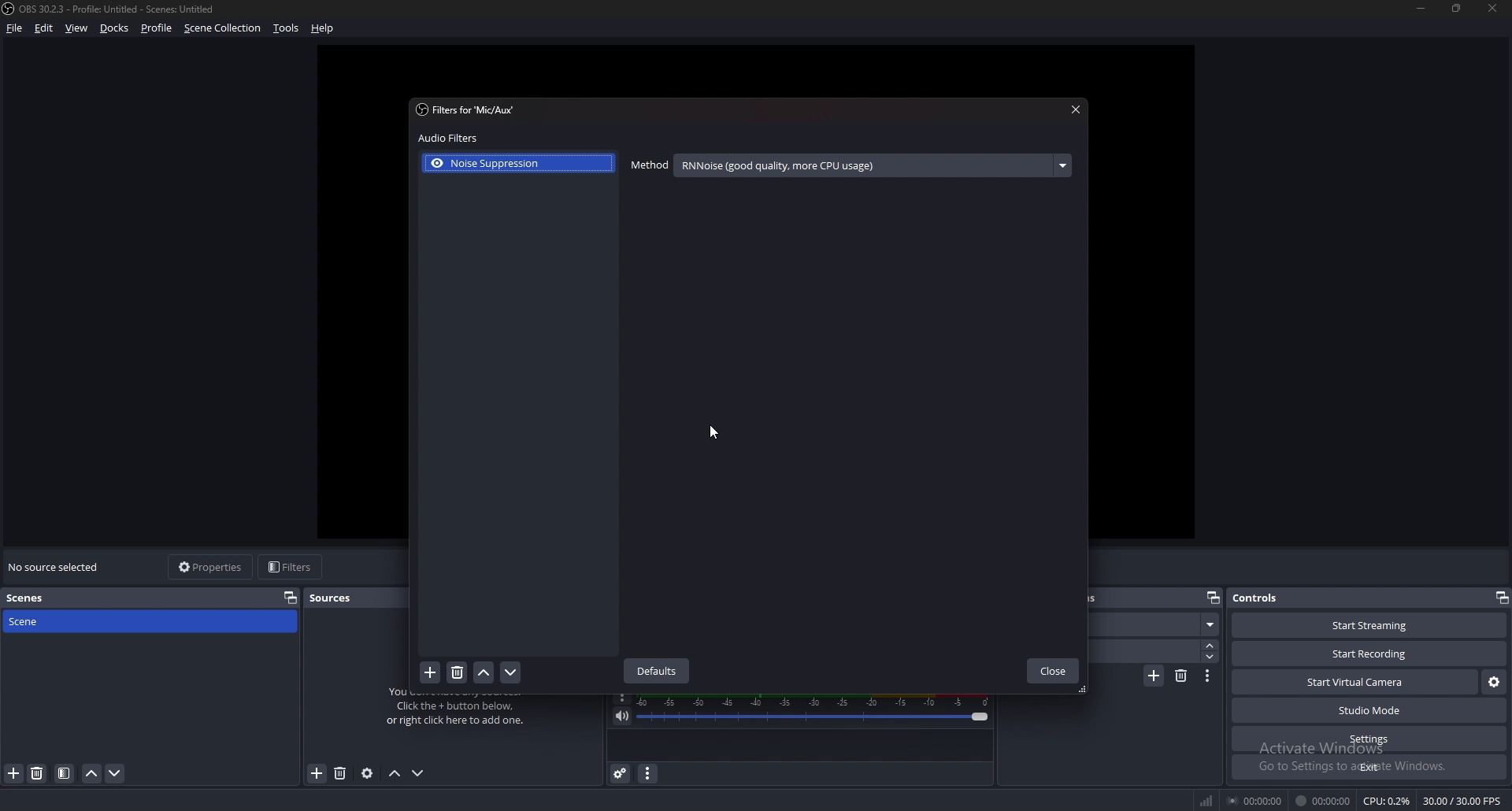  Describe the element at coordinates (114, 774) in the screenshot. I see `move scene down` at that location.